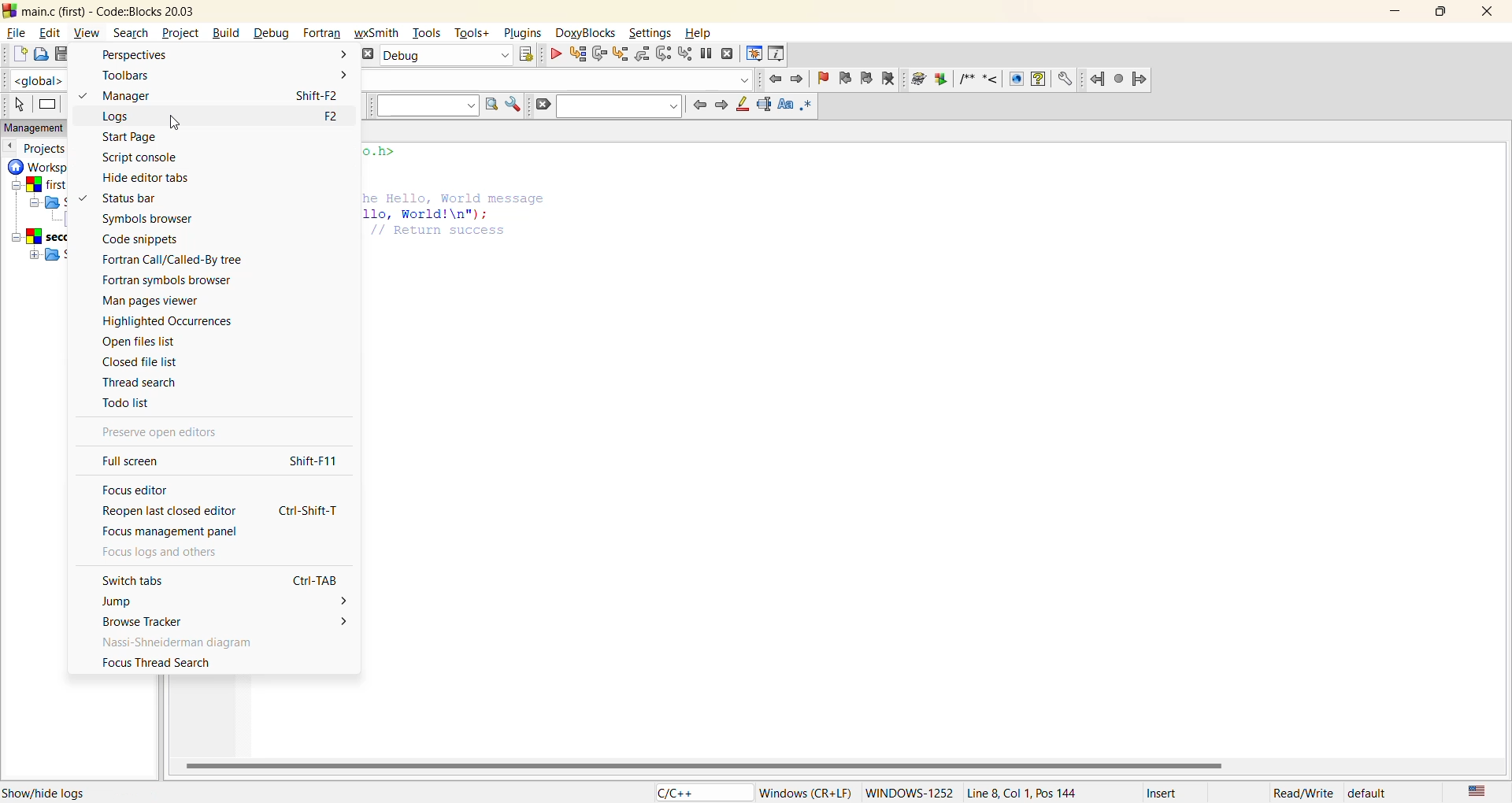 Image resolution: width=1512 pixels, height=803 pixels. Describe the element at coordinates (552, 54) in the screenshot. I see `debug/continue` at that location.